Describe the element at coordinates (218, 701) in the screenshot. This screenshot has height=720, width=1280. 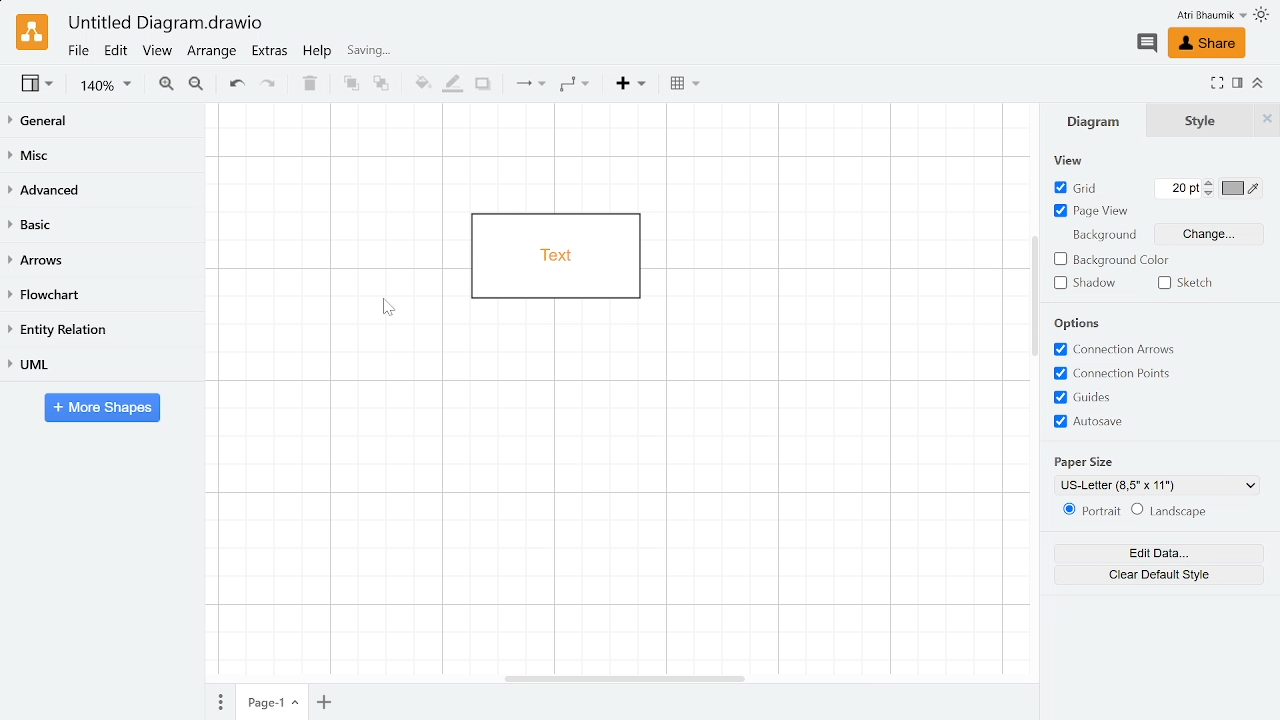
I see `Pages` at that location.